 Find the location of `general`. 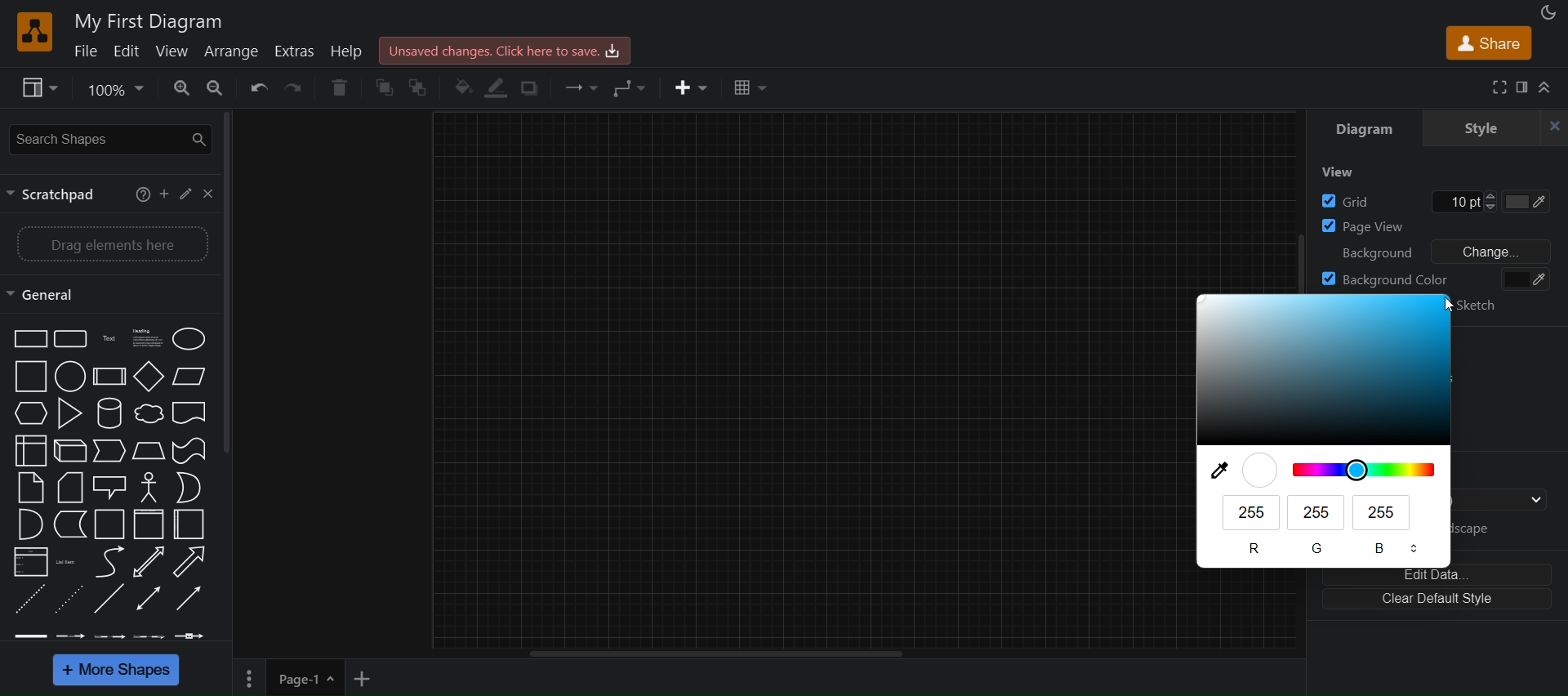

general is located at coordinates (47, 294).